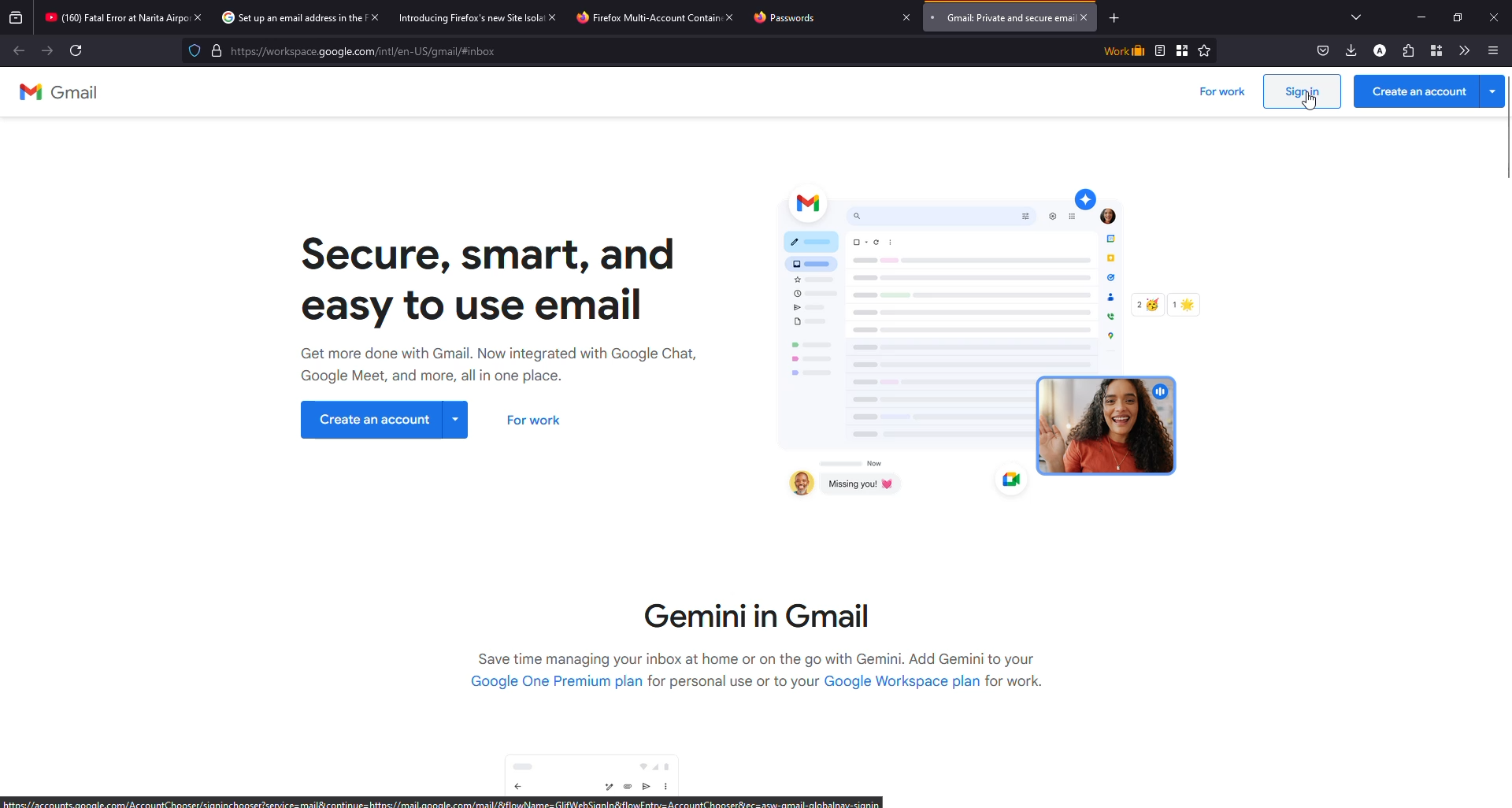  What do you see at coordinates (668, 786) in the screenshot?
I see `more` at bounding box center [668, 786].